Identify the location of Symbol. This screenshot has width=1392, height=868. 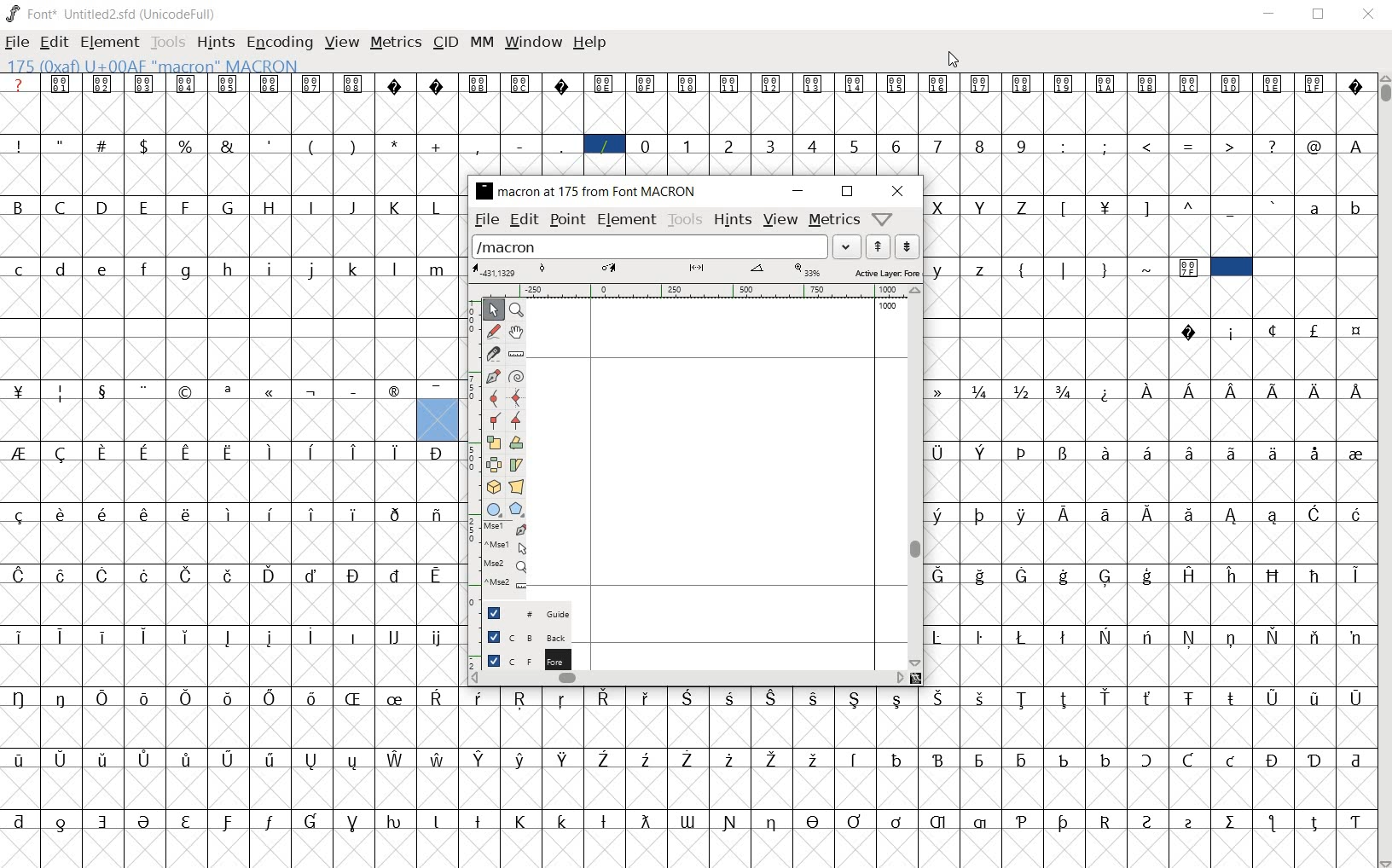
(20, 636).